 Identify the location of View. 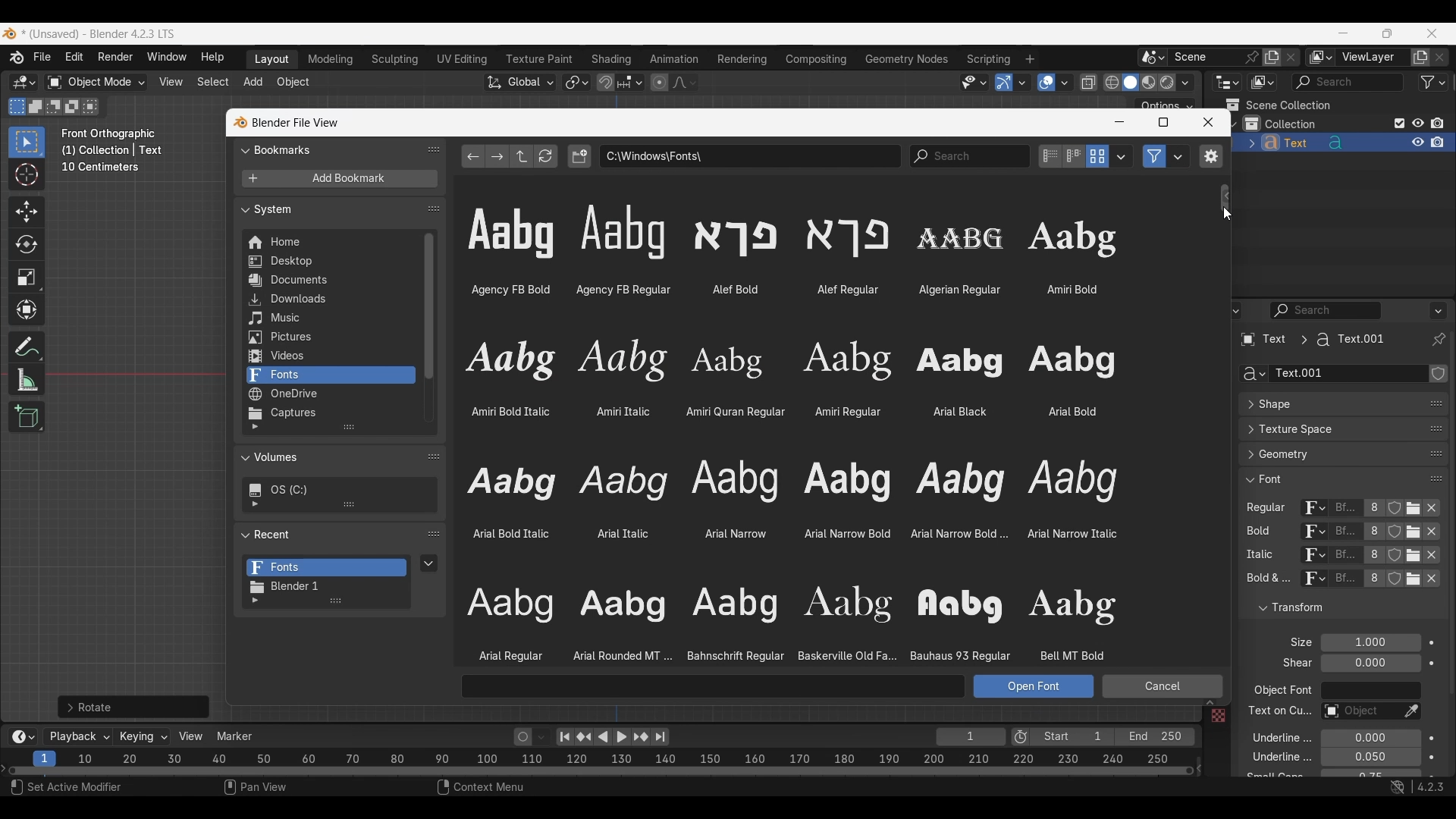
(191, 736).